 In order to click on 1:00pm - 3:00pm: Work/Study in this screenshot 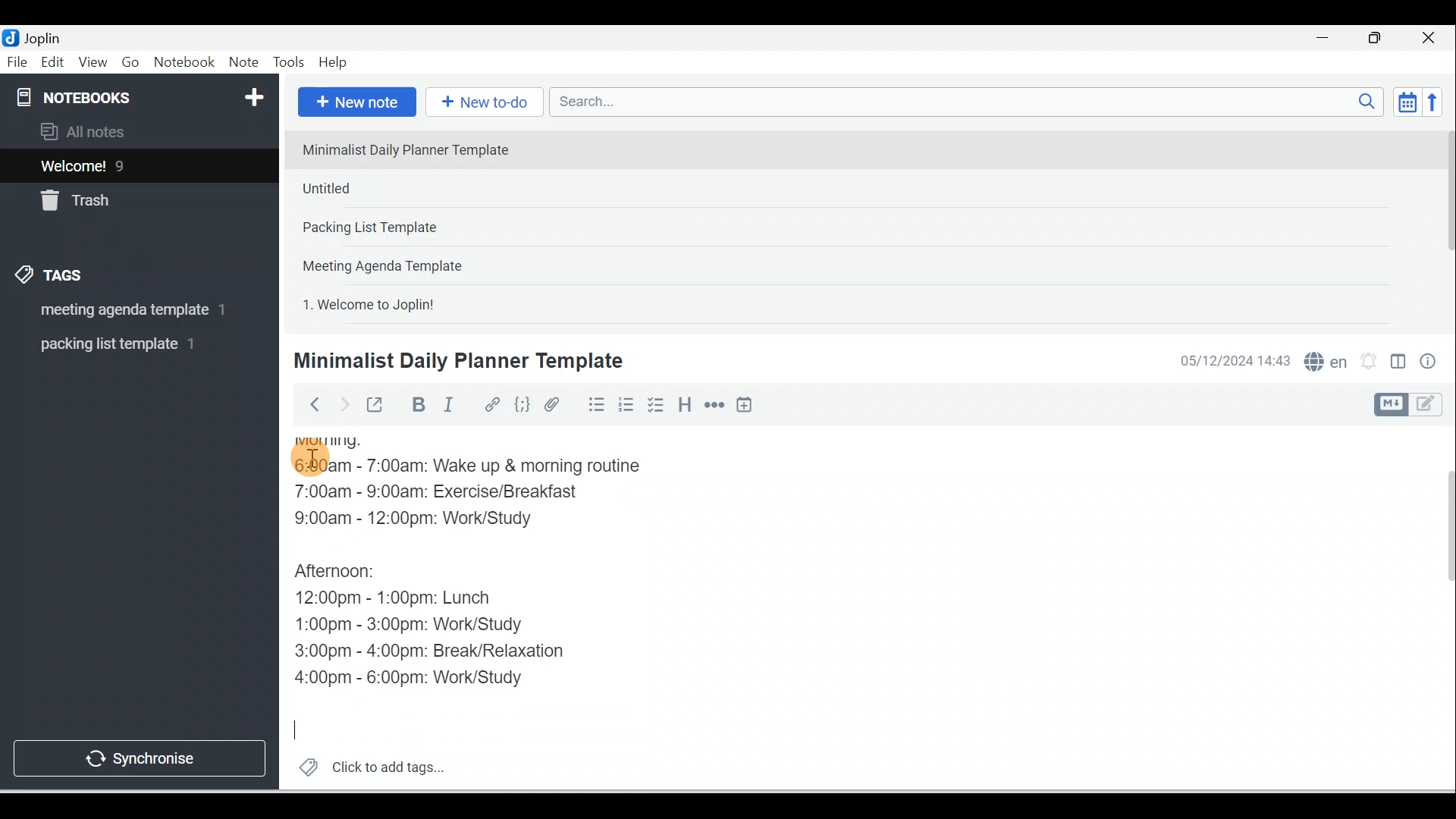, I will do `click(409, 623)`.